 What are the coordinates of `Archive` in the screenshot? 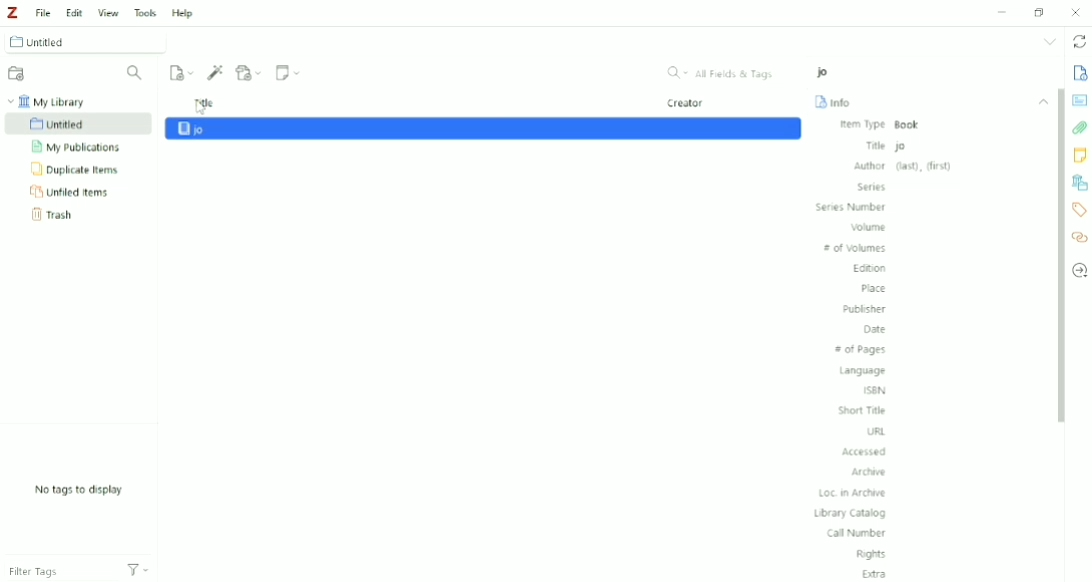 It's located at (872, 472).